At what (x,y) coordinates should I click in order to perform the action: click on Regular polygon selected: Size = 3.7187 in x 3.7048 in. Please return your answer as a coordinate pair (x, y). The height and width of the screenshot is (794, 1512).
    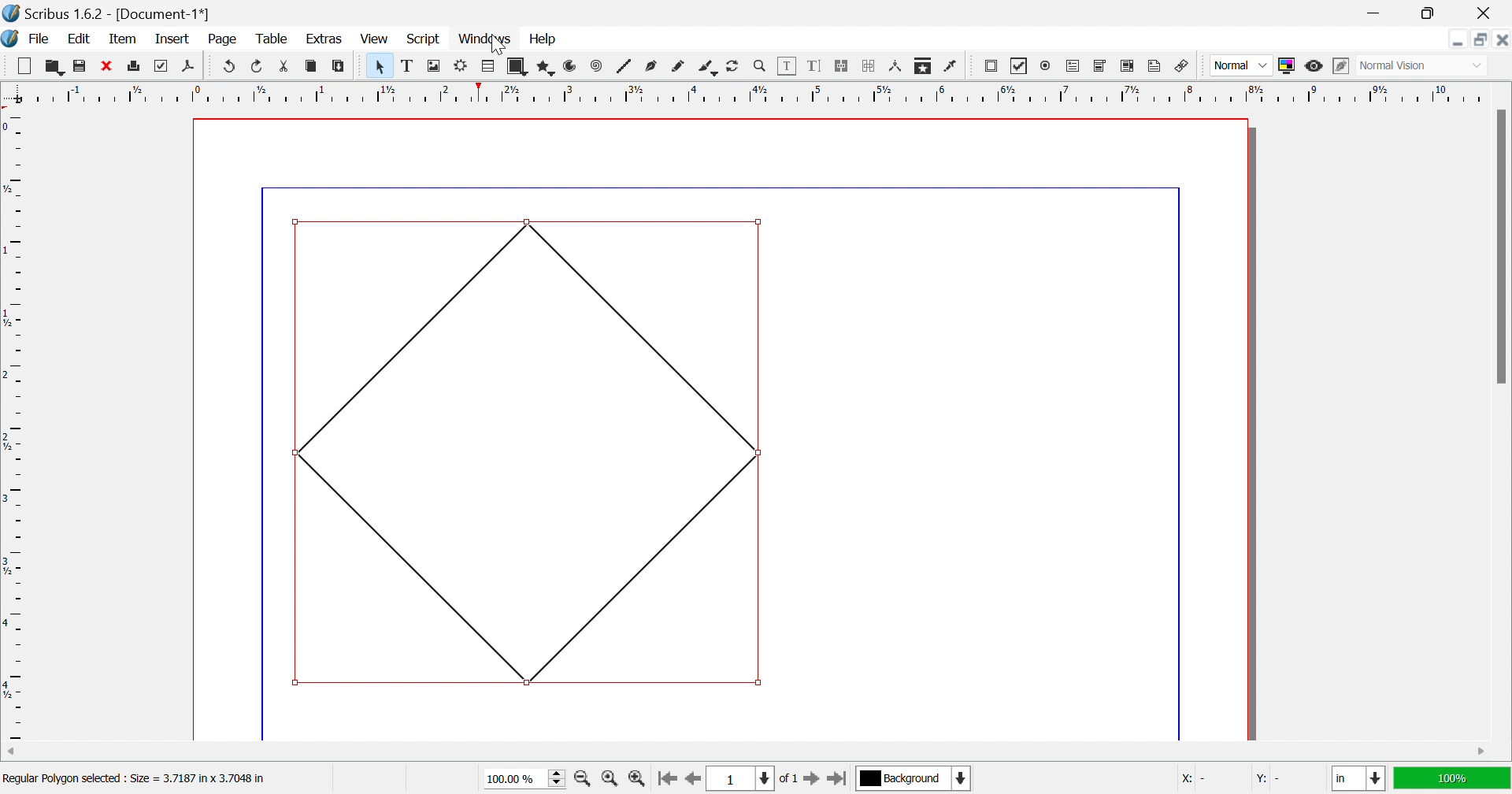
    Looking at the image, I should click on (134, 781).